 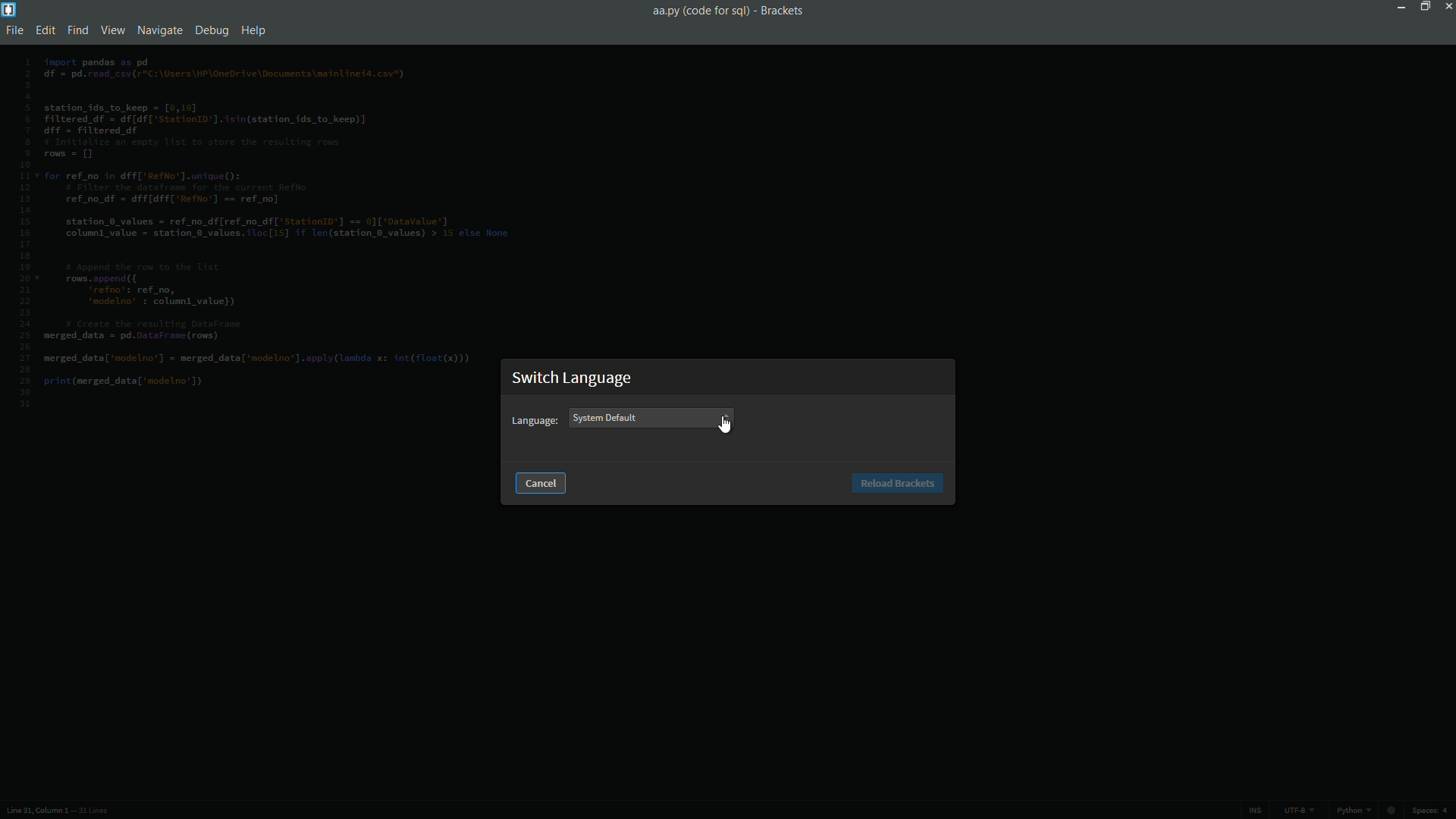 I want to click on find menu, so click(x=78, y=31).